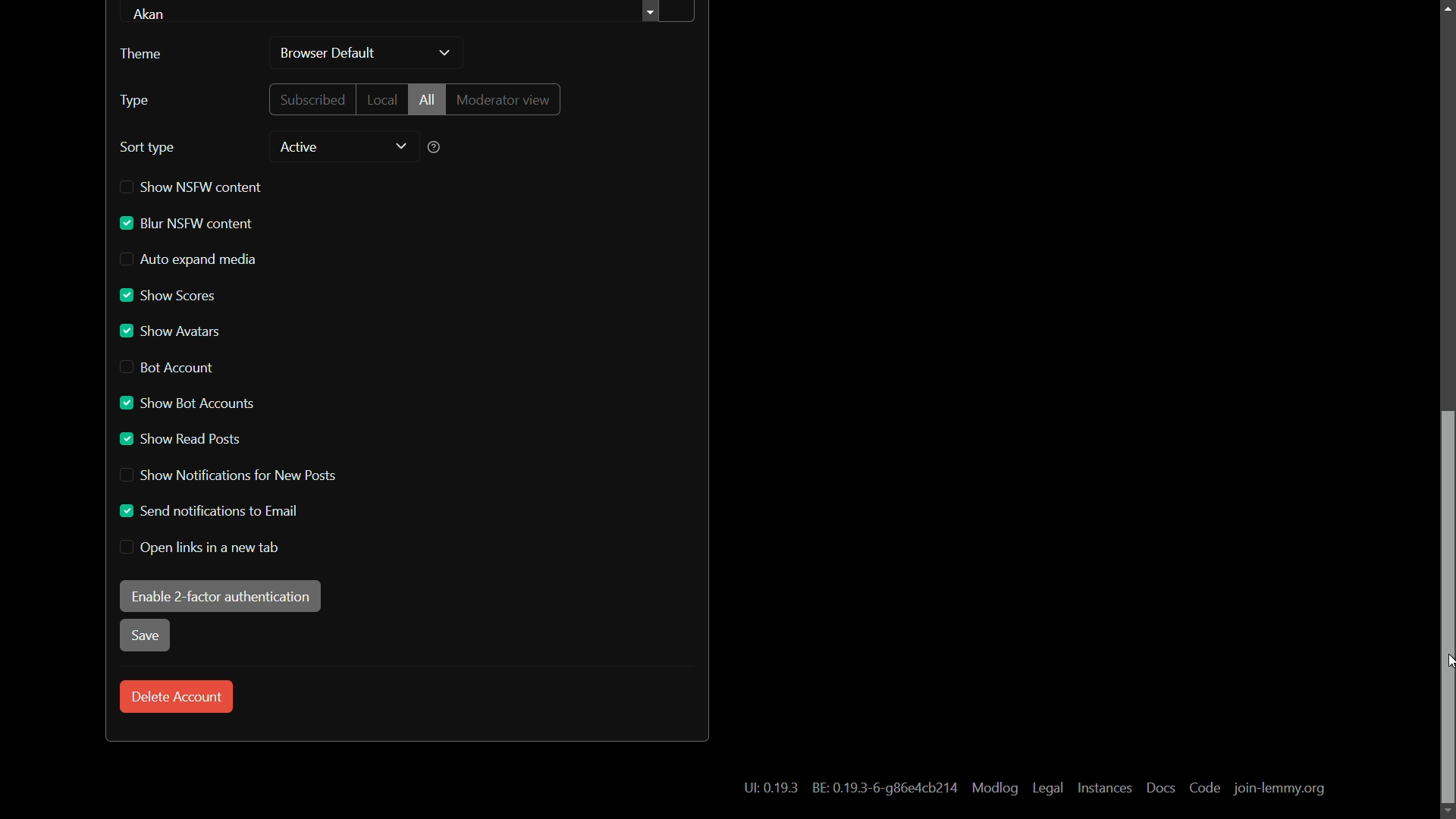  I want to click on blur nsfw content, so click(186, 224).